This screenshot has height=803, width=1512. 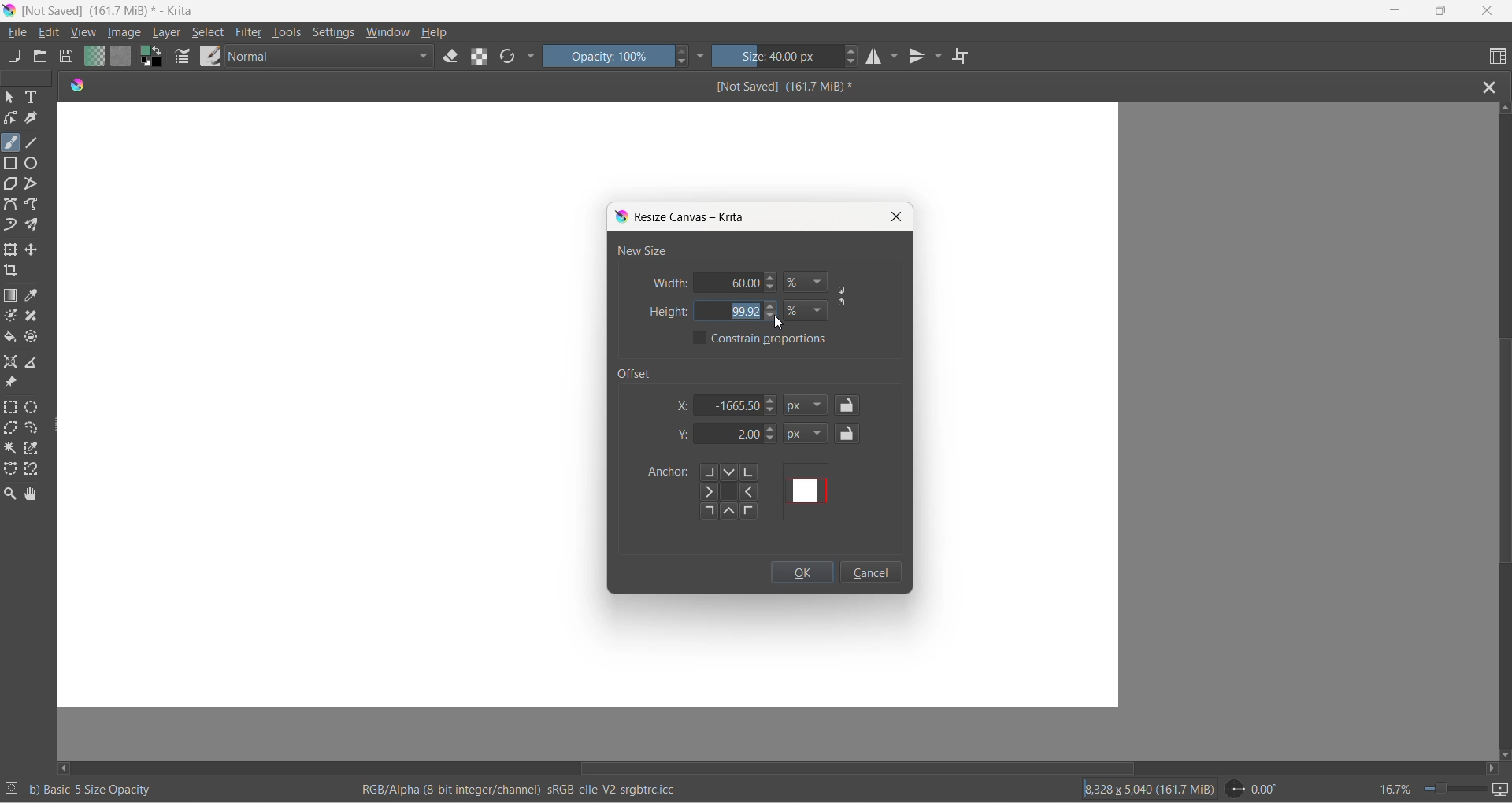 I want to click on rgb information, so click(x=527, y=790).